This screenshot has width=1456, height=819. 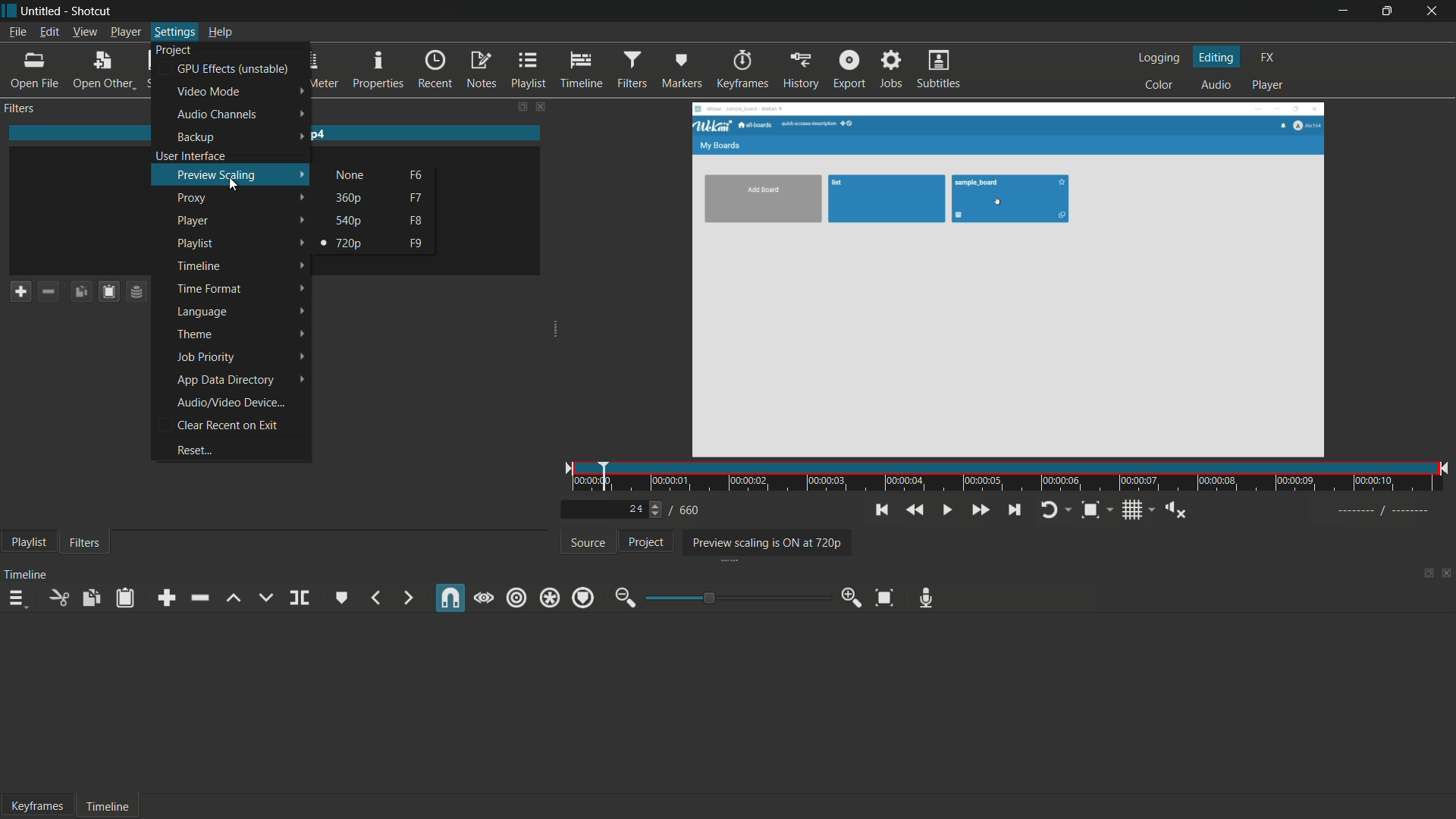 I want to click on clear recent on exit, so click(x=226, y=426).